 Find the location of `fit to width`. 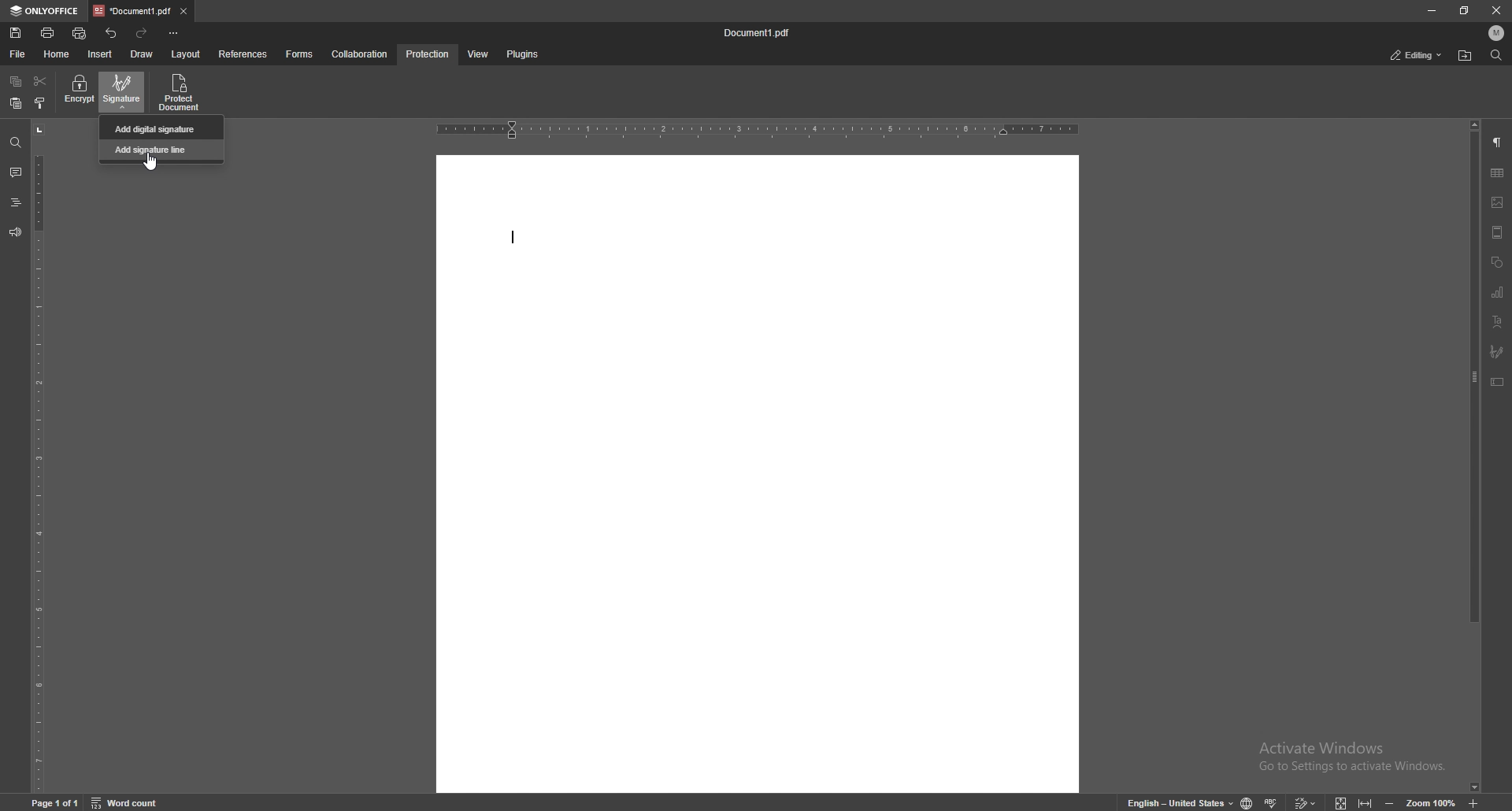

fit to width is located at coordinates (1367, 800).